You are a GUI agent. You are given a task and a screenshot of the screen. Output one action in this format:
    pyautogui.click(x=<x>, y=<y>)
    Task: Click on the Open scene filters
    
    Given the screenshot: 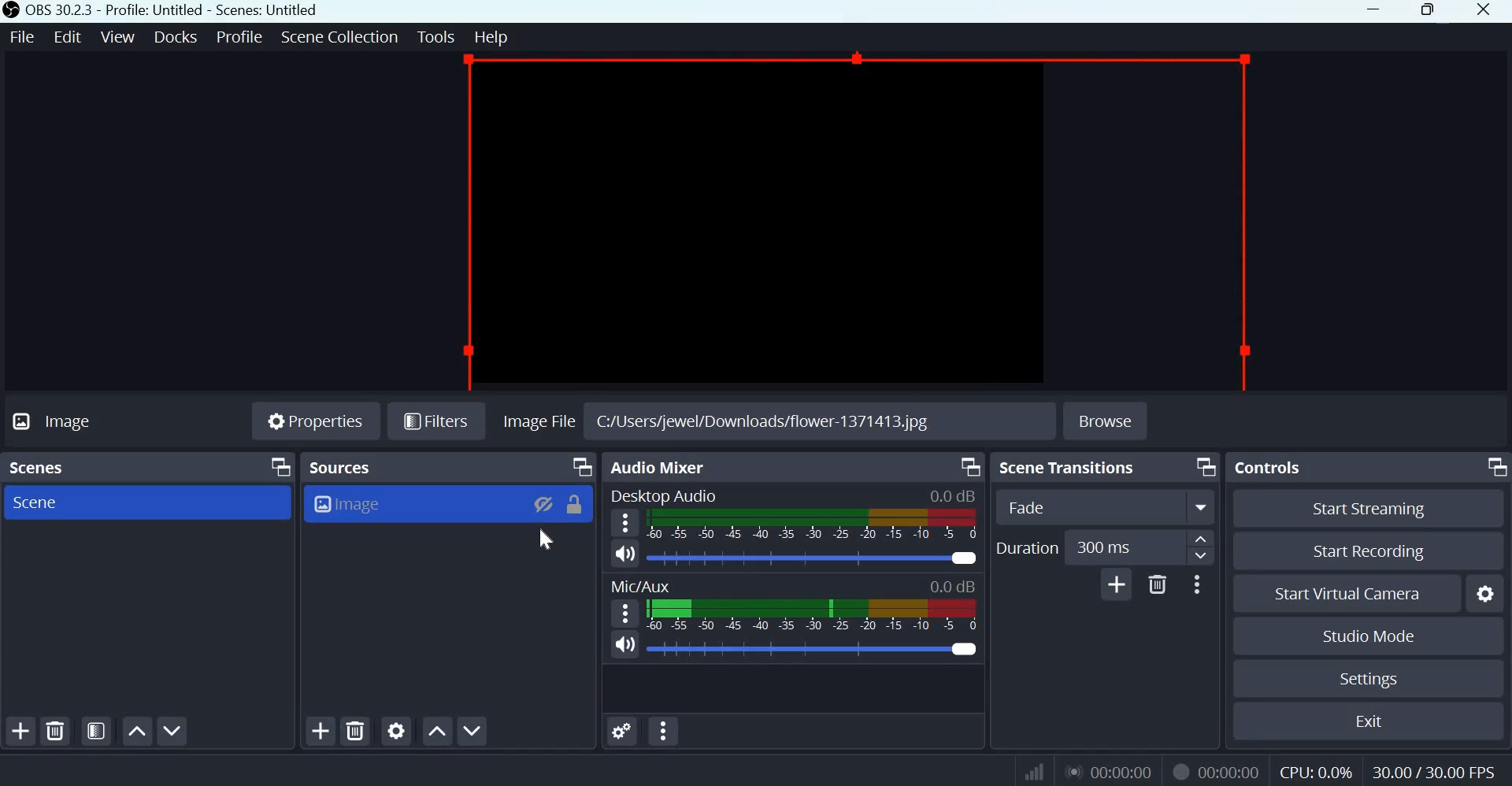 What is the action you would take?
    pyautogui.click(x=95, y=733)
    